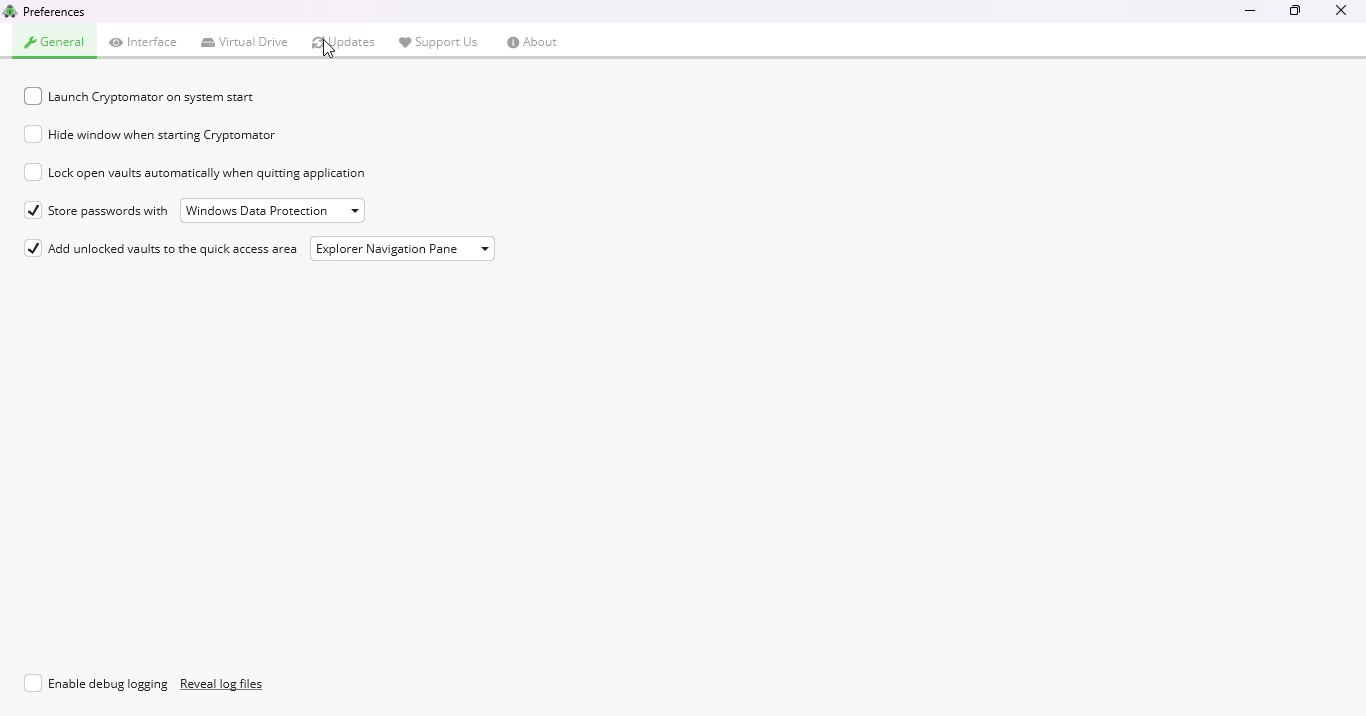  What do you see at coordinates (1341, 10) in the screenshot?
I see `close` at bounding box center [1341, 10].